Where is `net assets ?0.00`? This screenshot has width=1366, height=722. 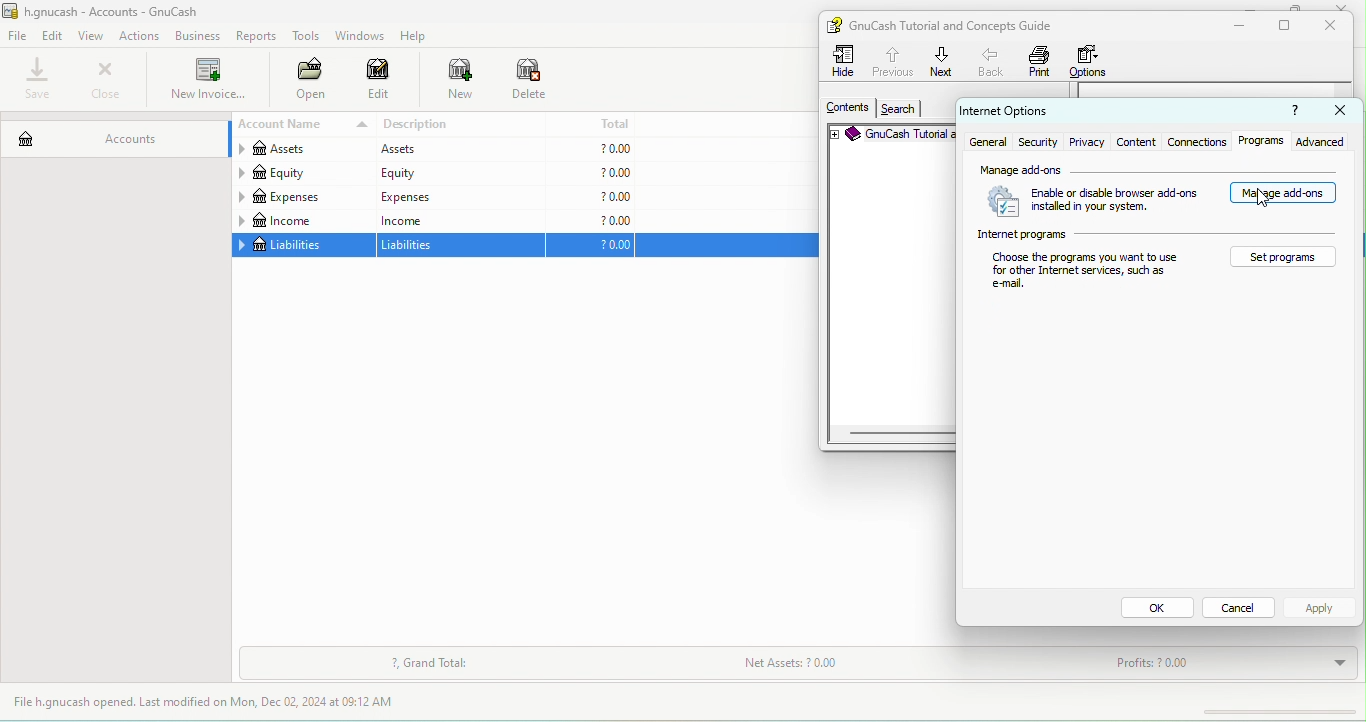
net assets ?0.00 is located at coordinates (853, 666).